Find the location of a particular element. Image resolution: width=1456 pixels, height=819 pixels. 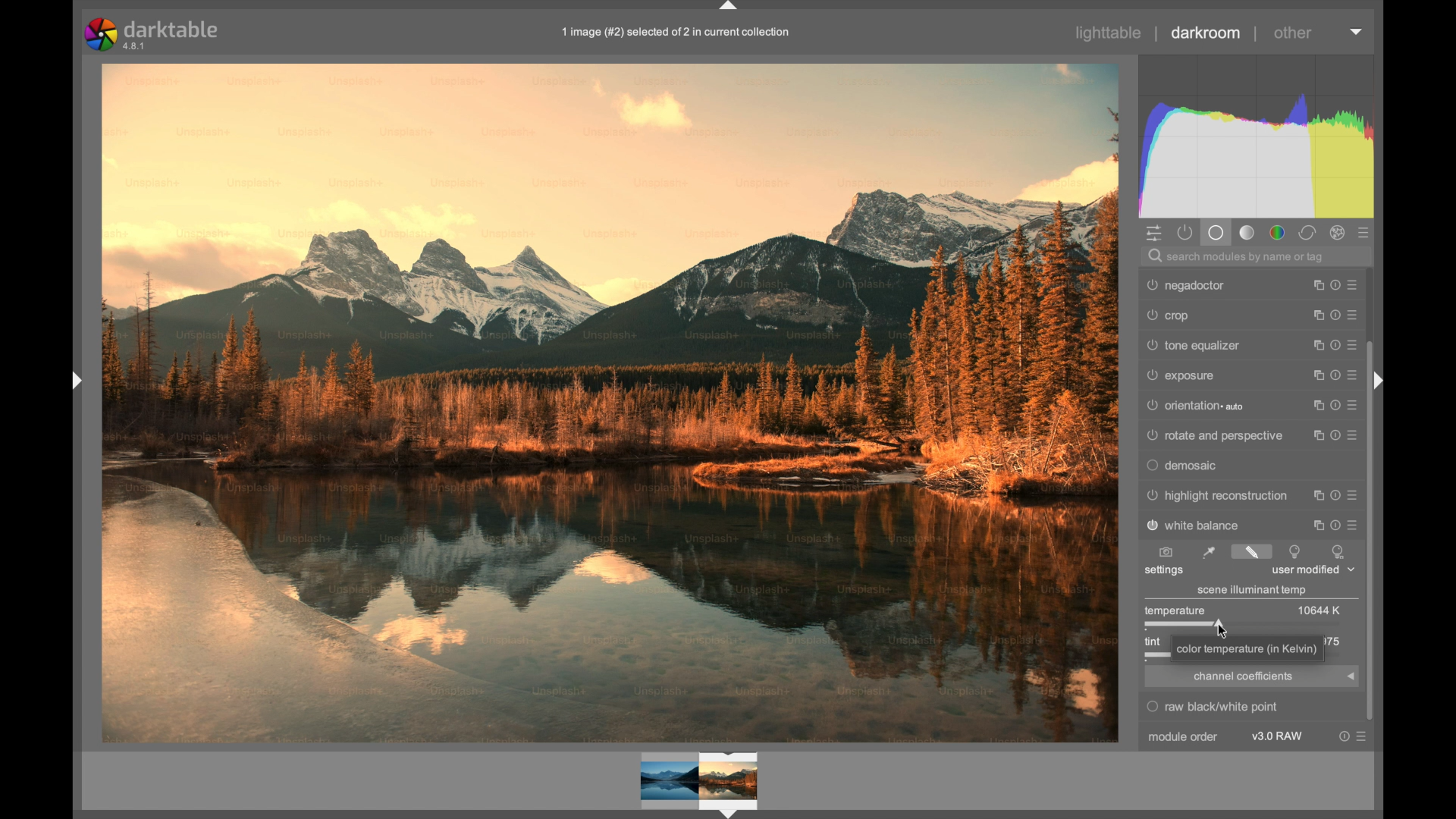

1 image (#2) selected of 2 in current collection is located at coordinates (682, 33).